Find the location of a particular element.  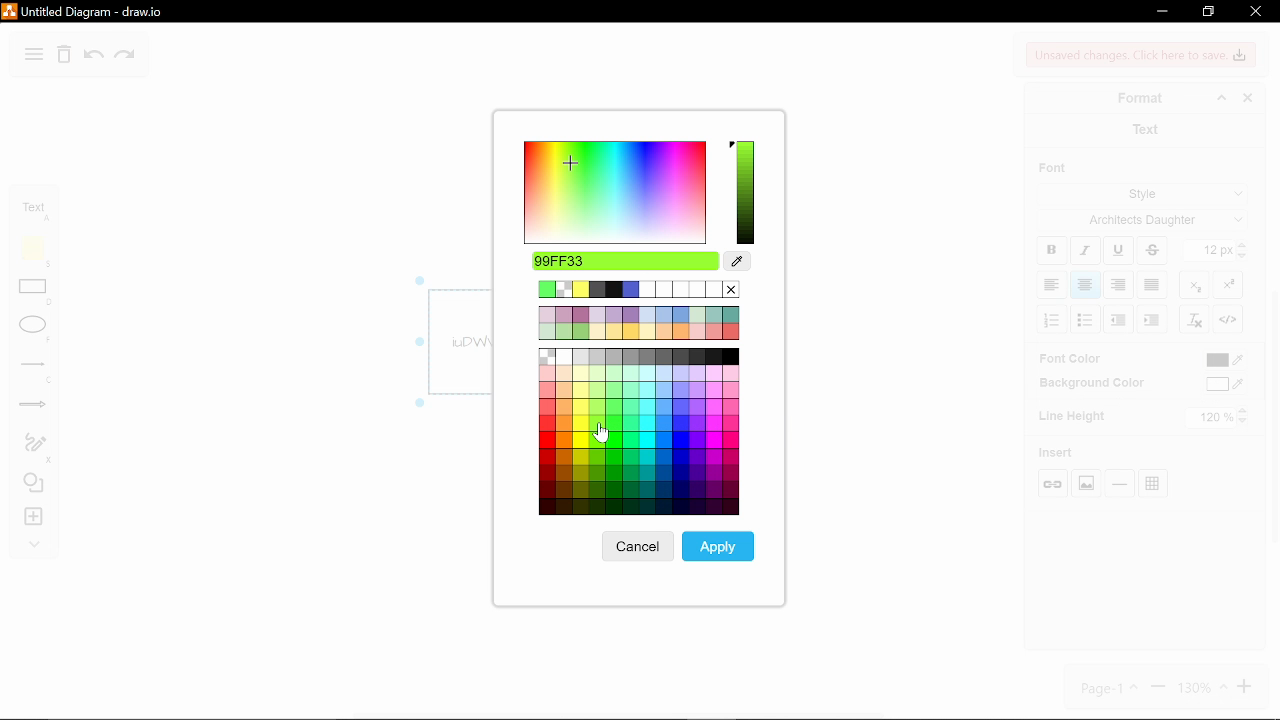

insert link is located at coordinates (1053, 483).